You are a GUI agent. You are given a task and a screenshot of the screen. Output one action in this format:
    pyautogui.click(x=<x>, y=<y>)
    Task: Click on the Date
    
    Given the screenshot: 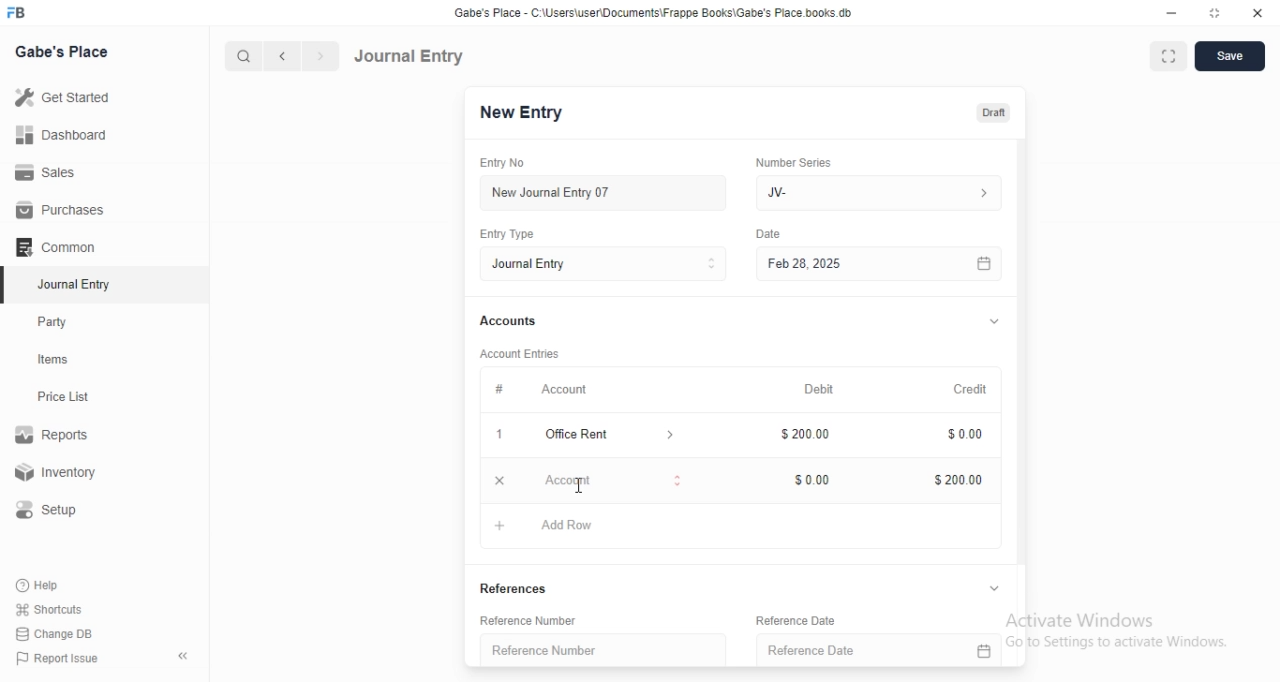 What is the action you would take?
    pyautogui.click(x=770, y=233)
    